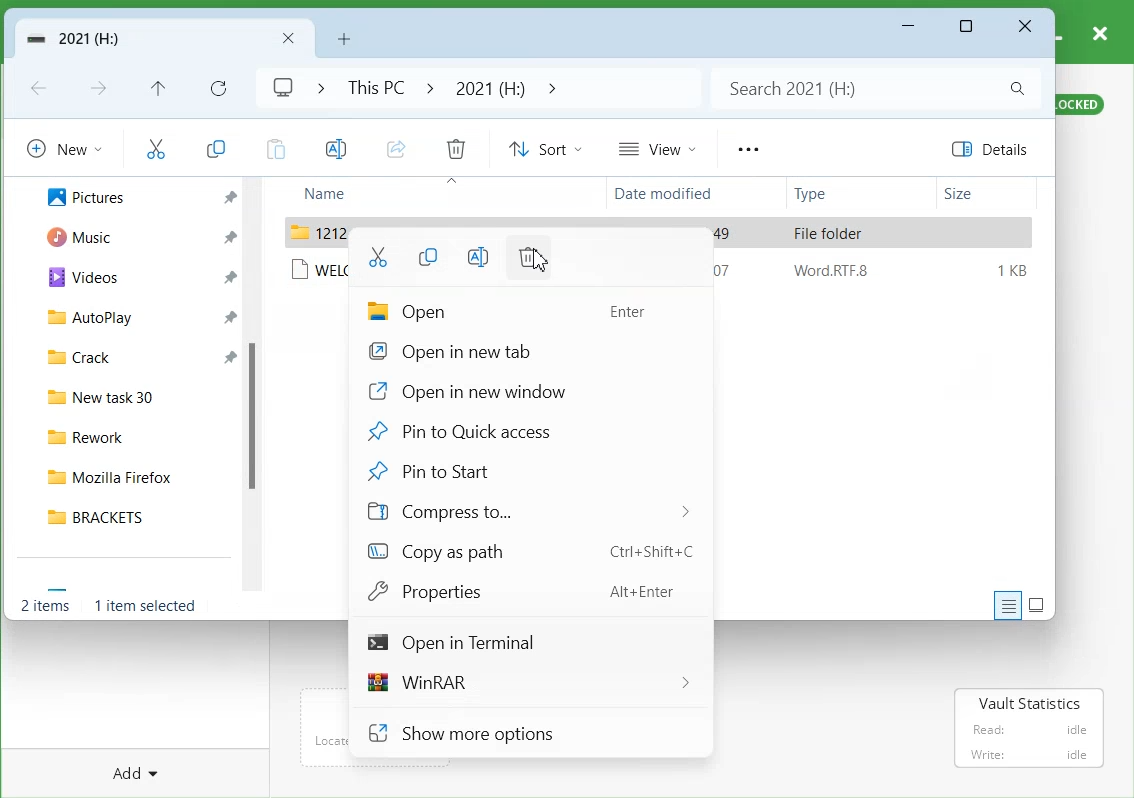 The width and height of the screenshot is (1134, 798). What do you see at coordinates (1101, 31) in the screenshot?
I see `close` at bounding box center [1101, 31].